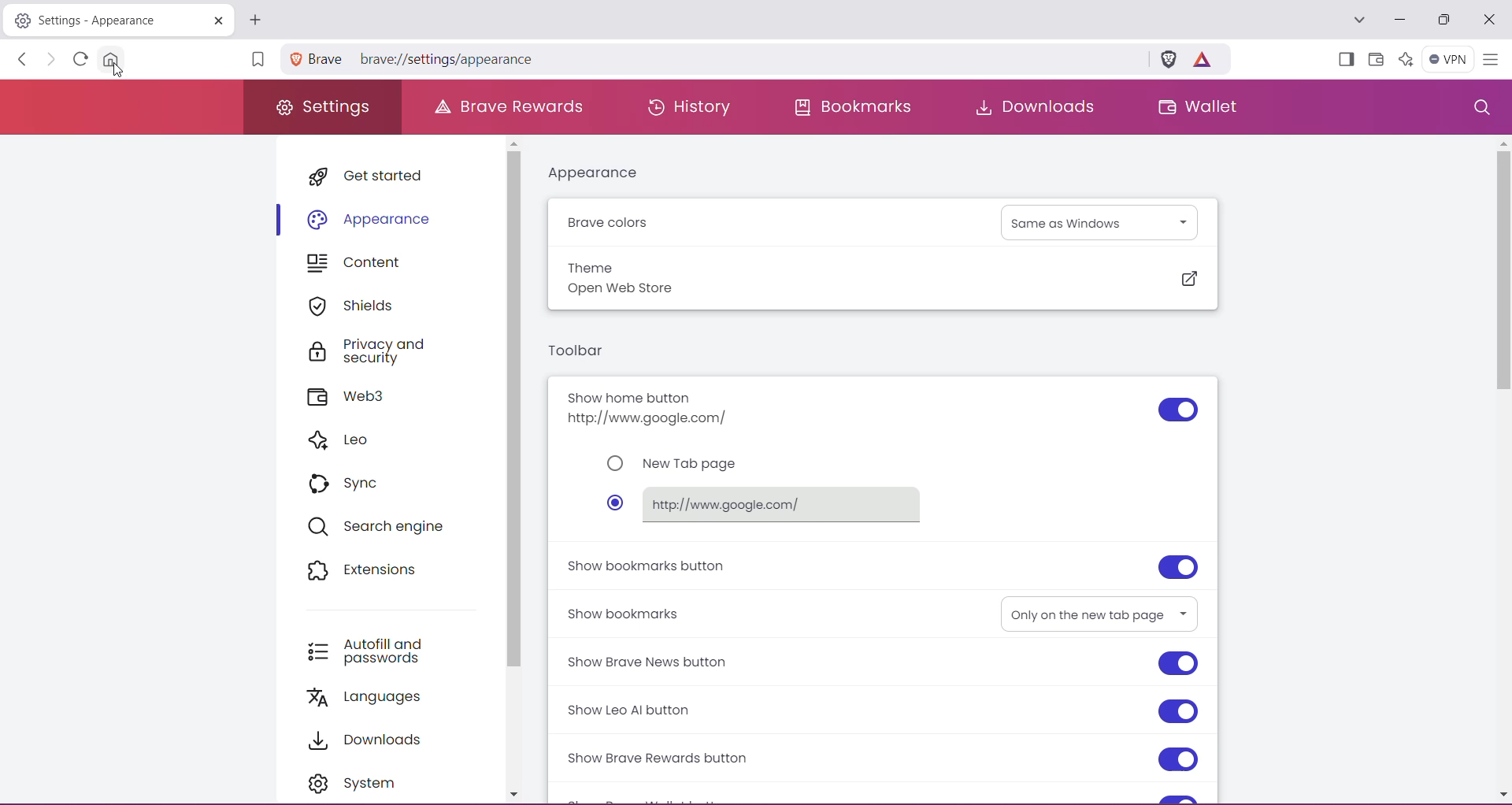 Image resolution: width=1512 pixels, height=805 pixels. I want to click on Show Brave rewards button, so click(664, 759).